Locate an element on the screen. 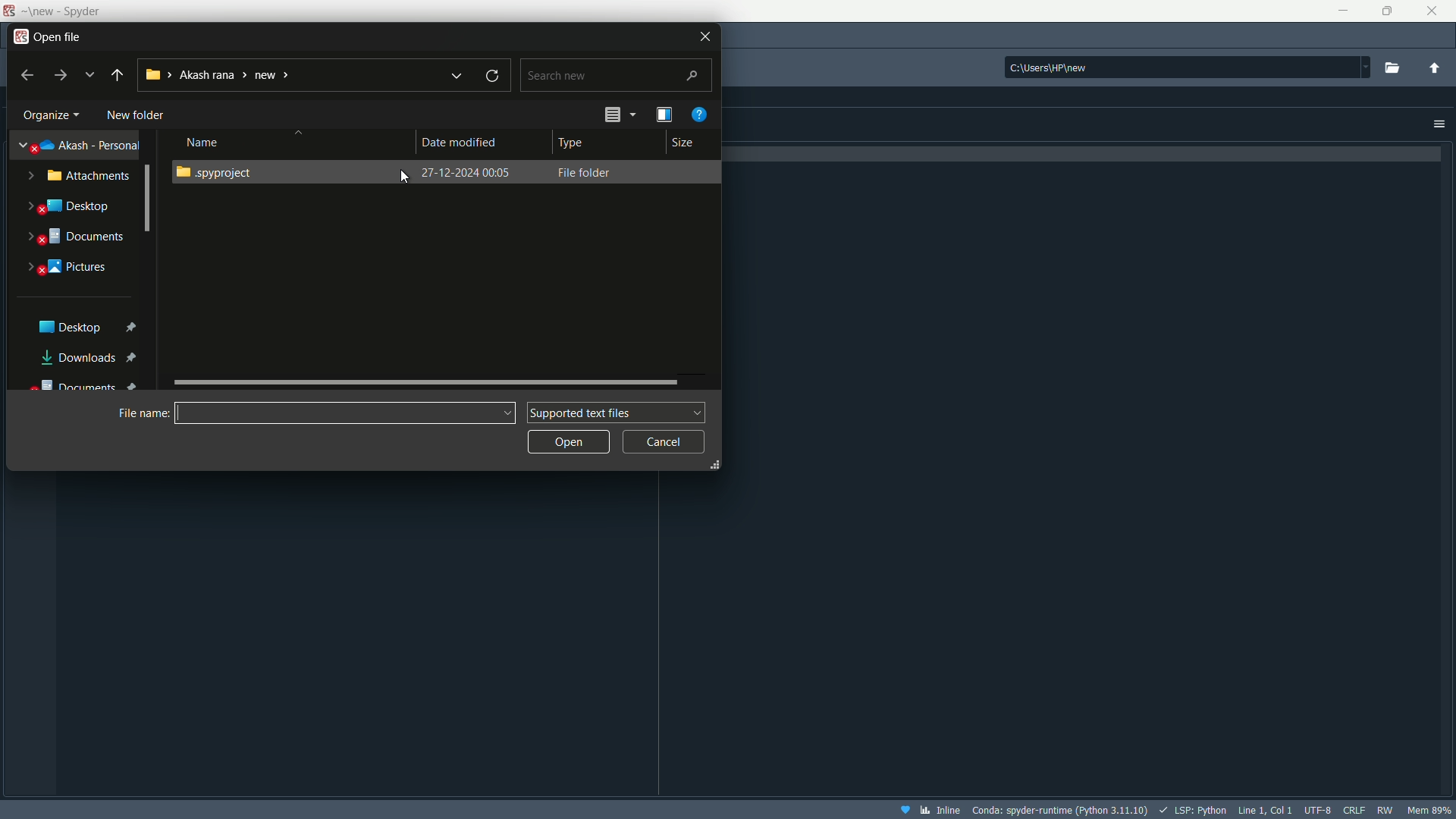 Image resolution: width=1456 pixels, height=819 pixels. Open  is located at coordinates (567, 442).